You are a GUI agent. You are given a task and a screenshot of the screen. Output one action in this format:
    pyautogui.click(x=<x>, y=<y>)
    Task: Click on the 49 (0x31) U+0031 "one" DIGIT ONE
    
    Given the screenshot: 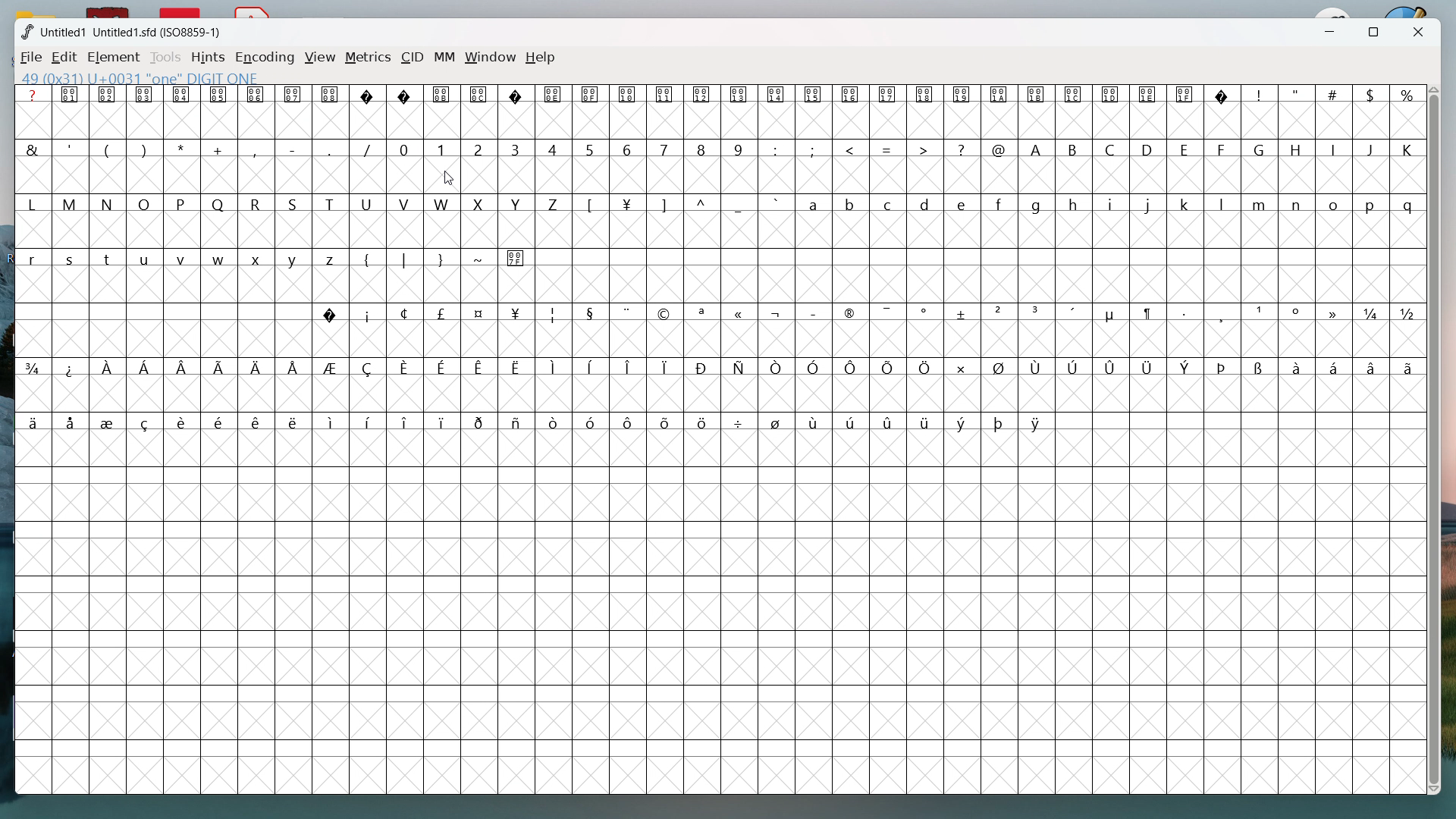 What is the action you would take?
    pyautogui.click(x=140, y=77)
    